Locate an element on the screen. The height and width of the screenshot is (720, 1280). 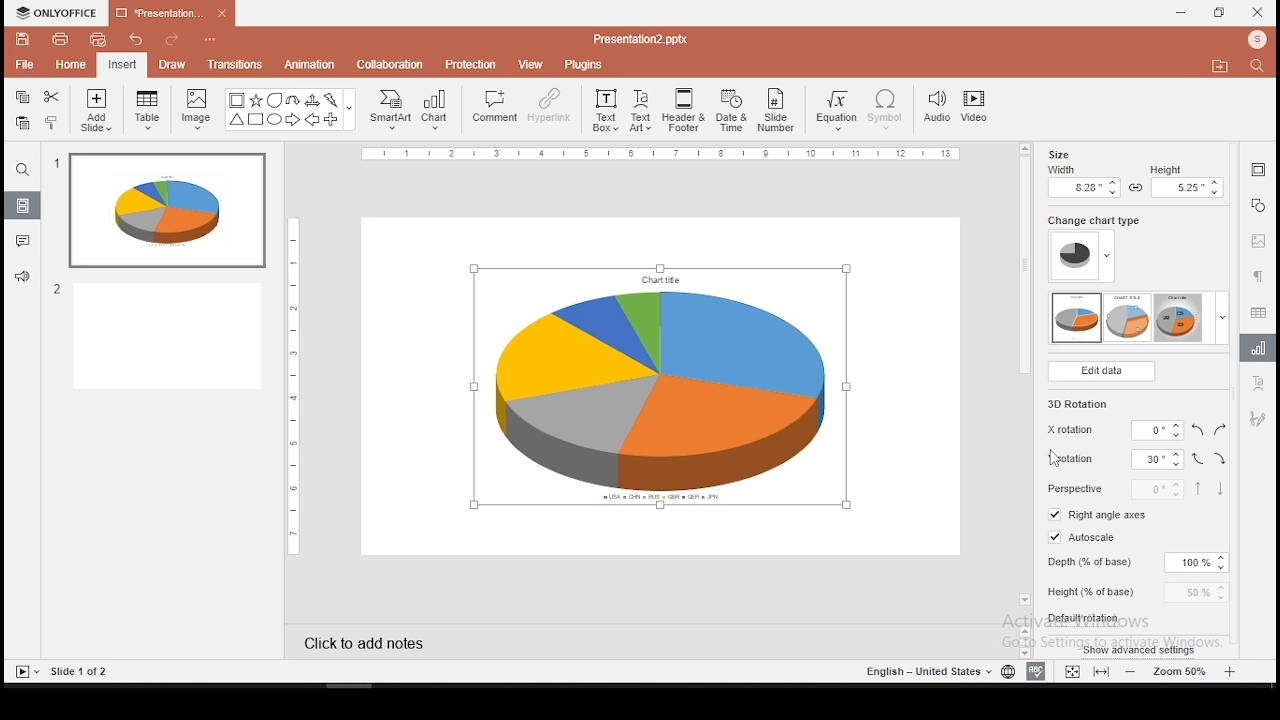
style 3 is located at coordinates (1178, 317).